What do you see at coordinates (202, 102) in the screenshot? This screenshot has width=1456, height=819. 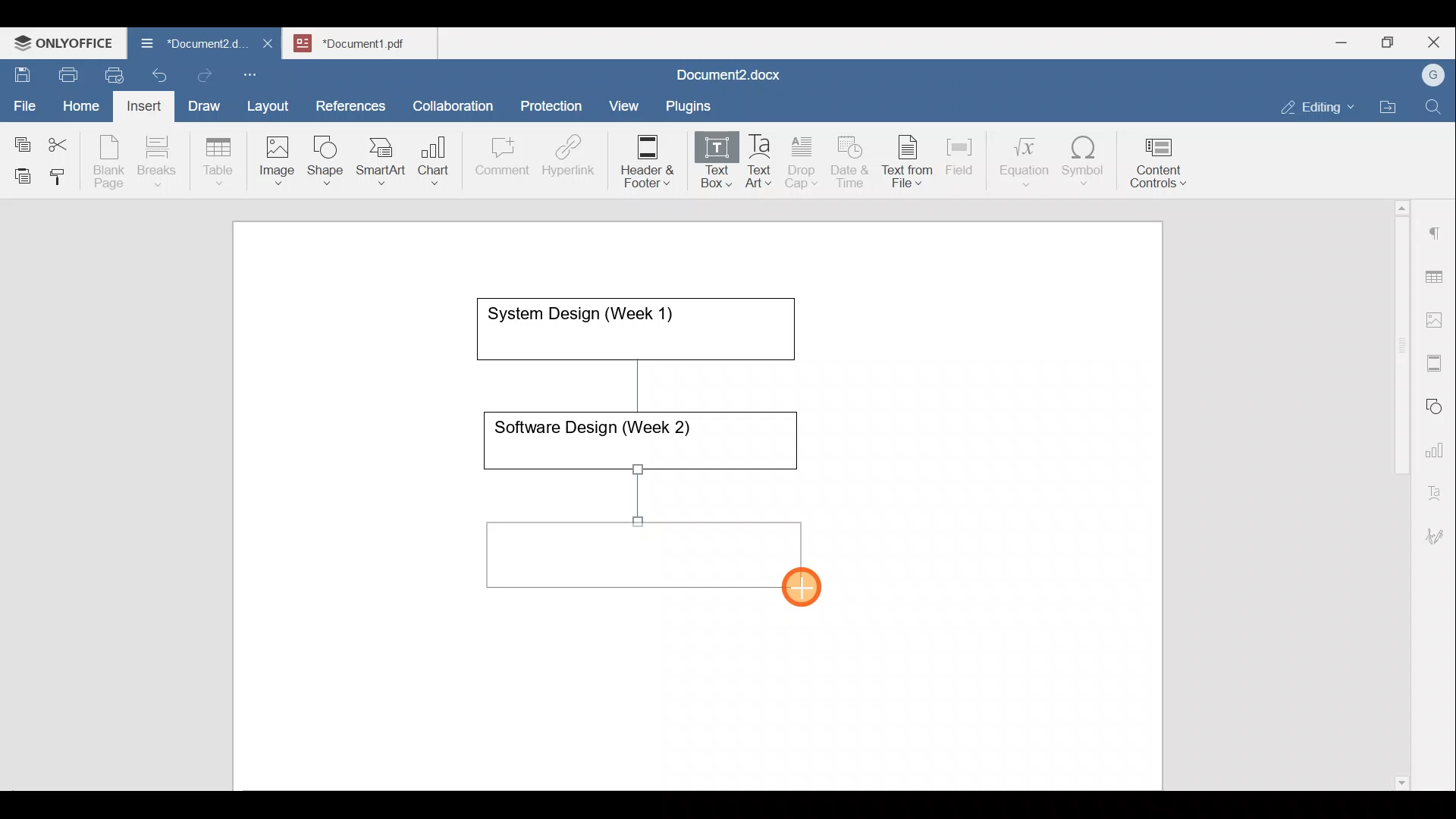 I see `Draw` at bounding box center [202, 102].